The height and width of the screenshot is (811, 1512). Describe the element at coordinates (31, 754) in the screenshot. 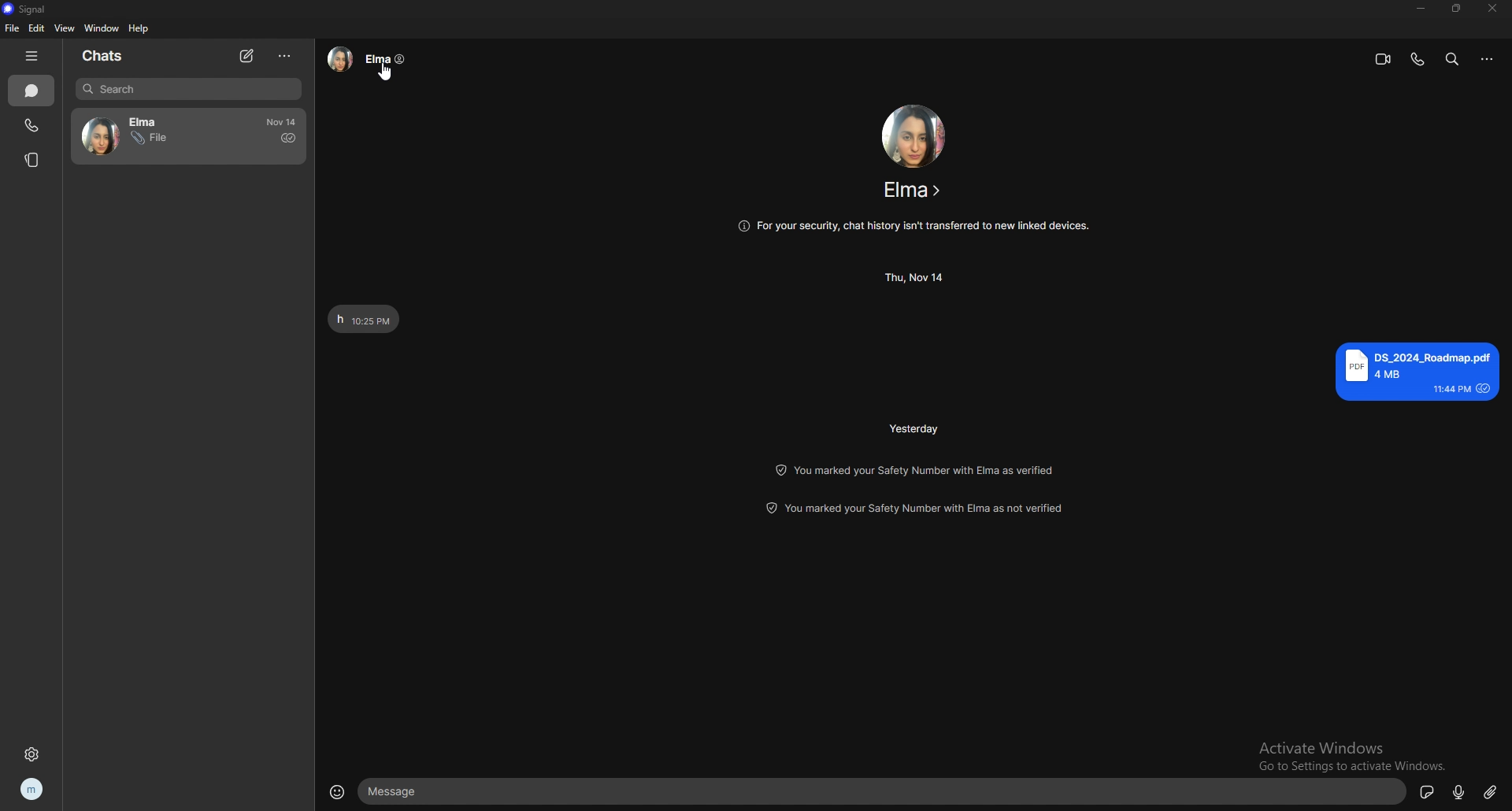

I see `settings` at that location.